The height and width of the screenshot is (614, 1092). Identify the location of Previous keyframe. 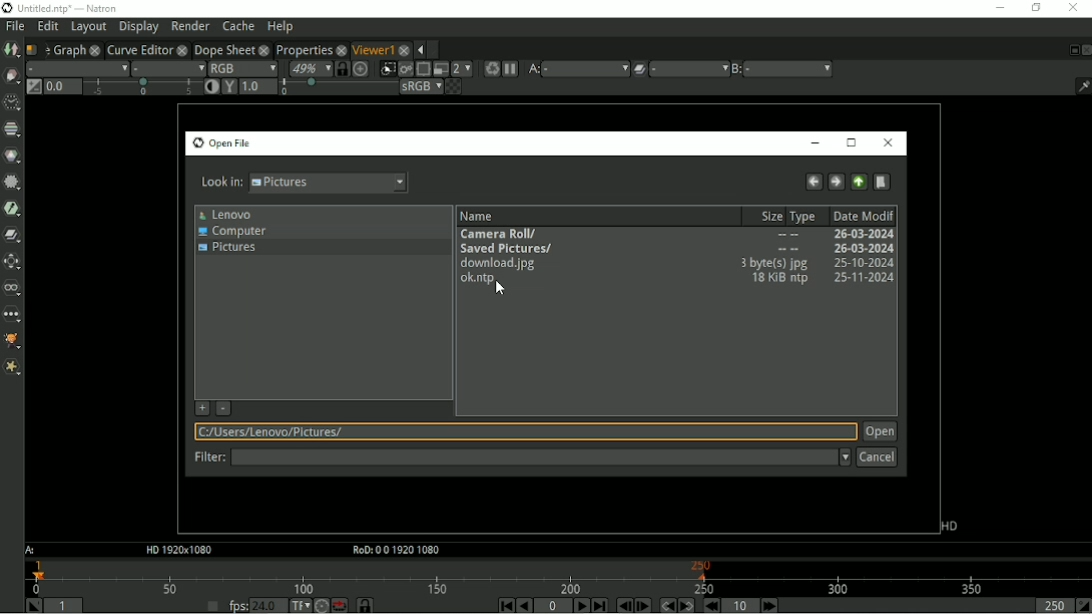
(665, 605).